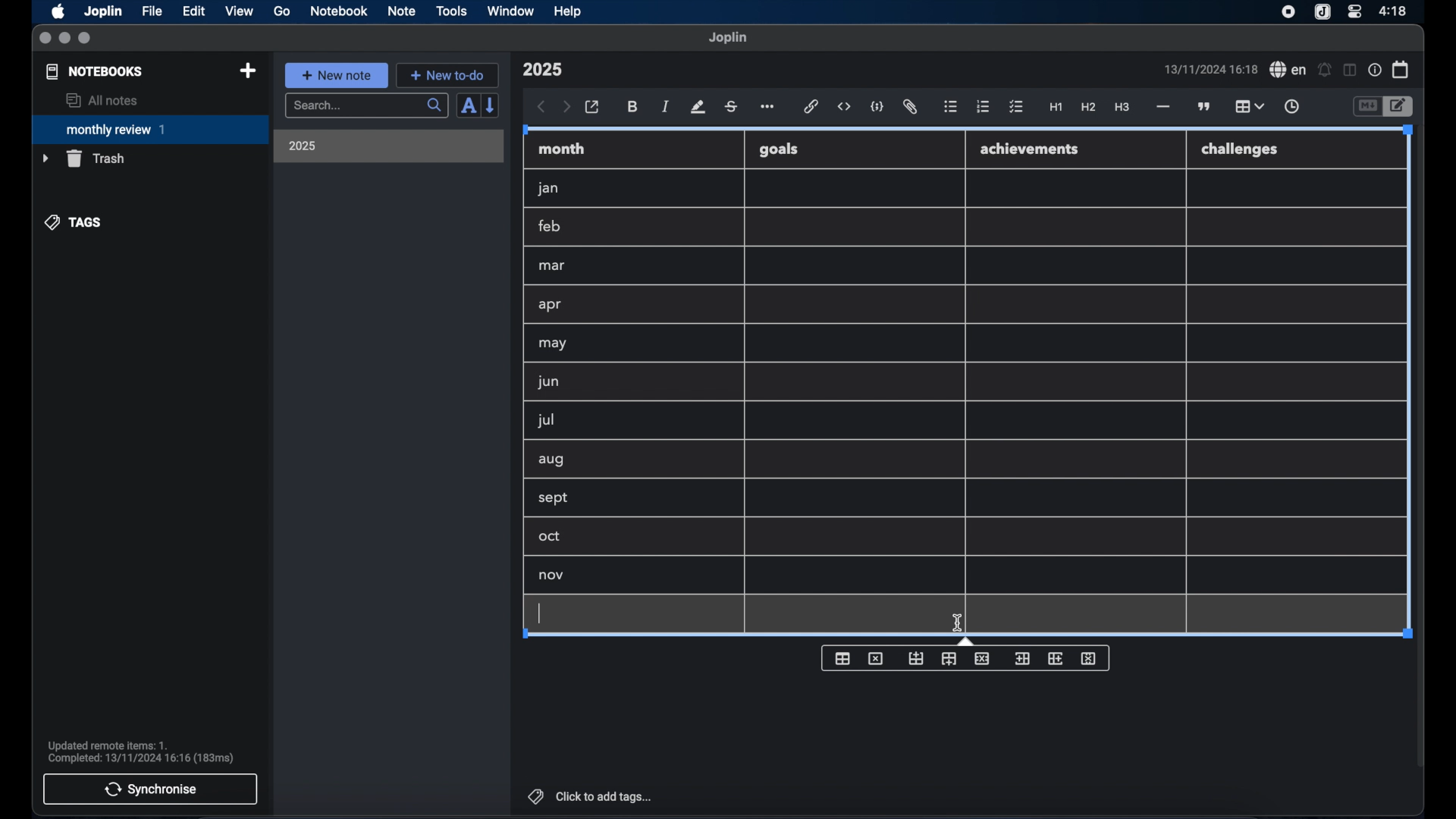  What do you see at coordinates (1058, 657) in the screenshot?
I see `insert column after` at bounding box center [1058, 657].